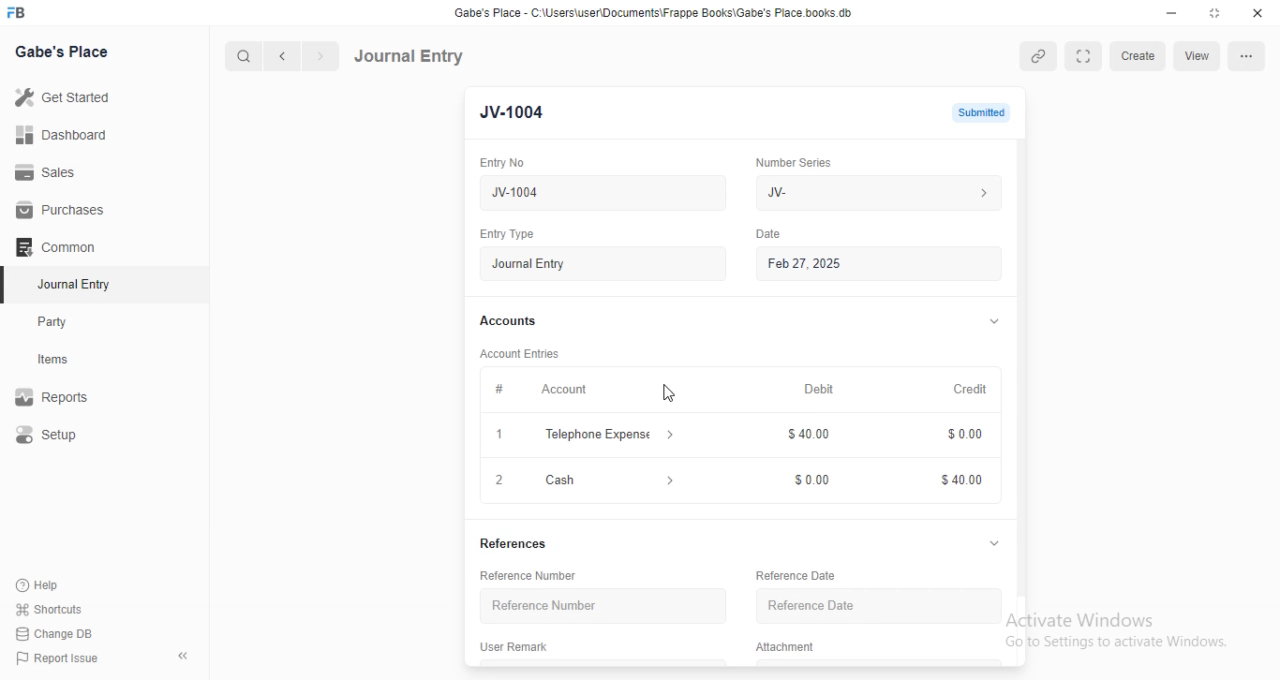  Describe the element at coordinates (59, 658) in the screenshot. I see `| Report Issue` at that location.